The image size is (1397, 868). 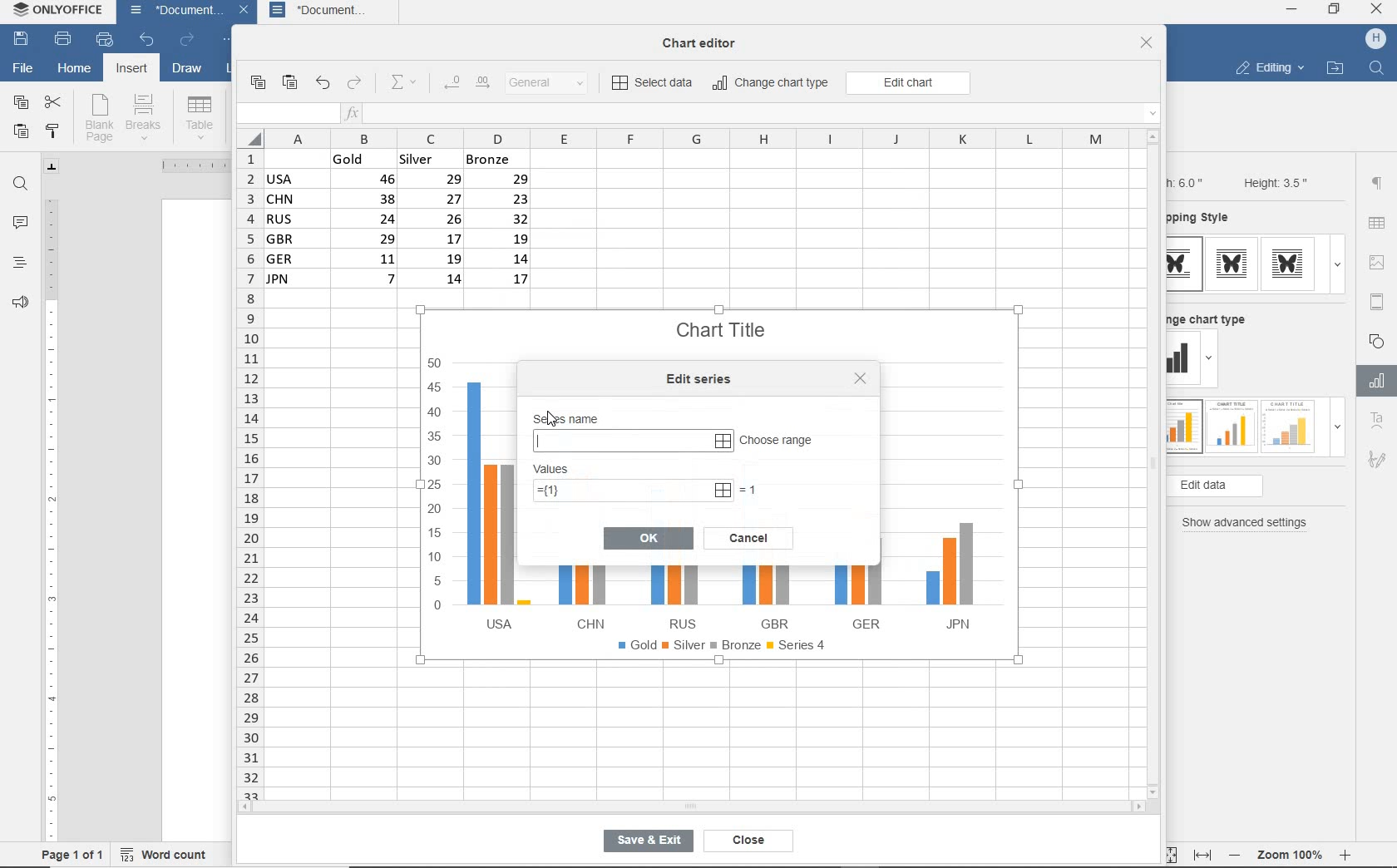 What do you see at coordinates (1375, 422) in the screenshot?
I see `Text Art Settings` at bounding box center [1375, 422].